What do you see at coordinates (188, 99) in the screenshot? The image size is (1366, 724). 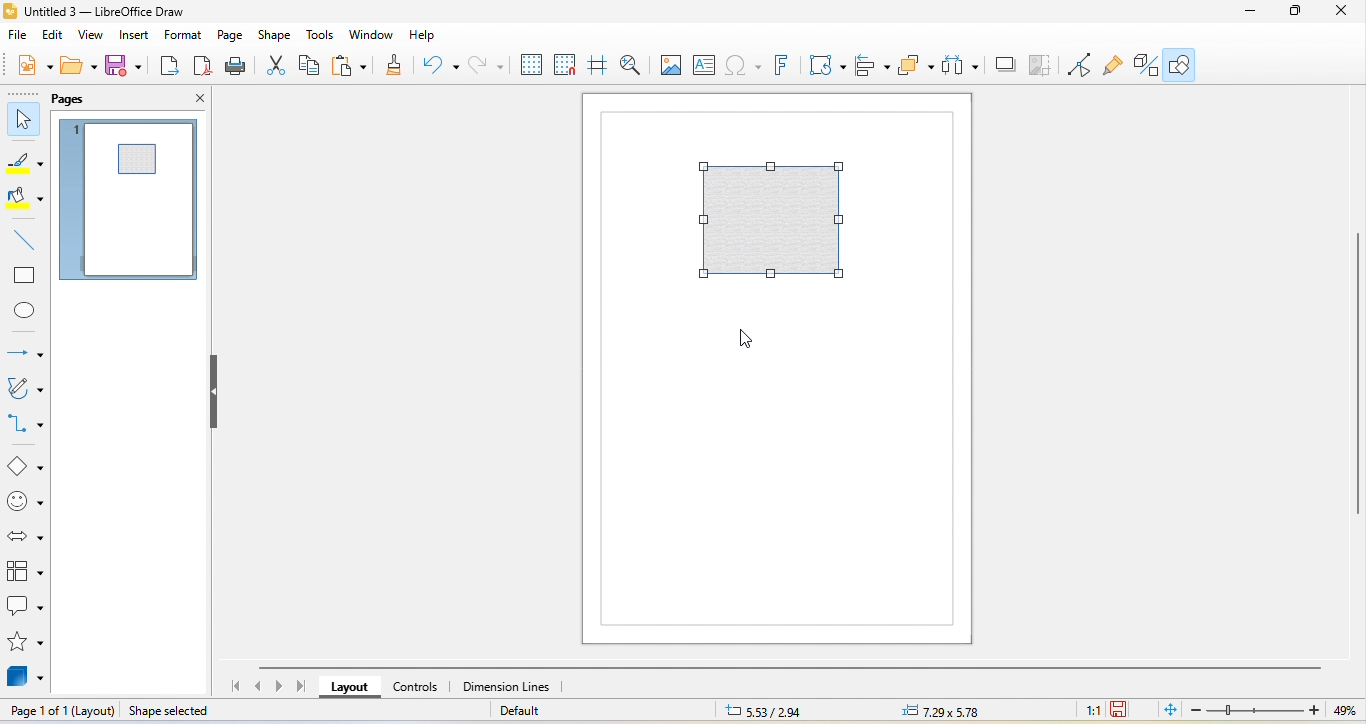 I see `close` at bounding box center [188, 99].